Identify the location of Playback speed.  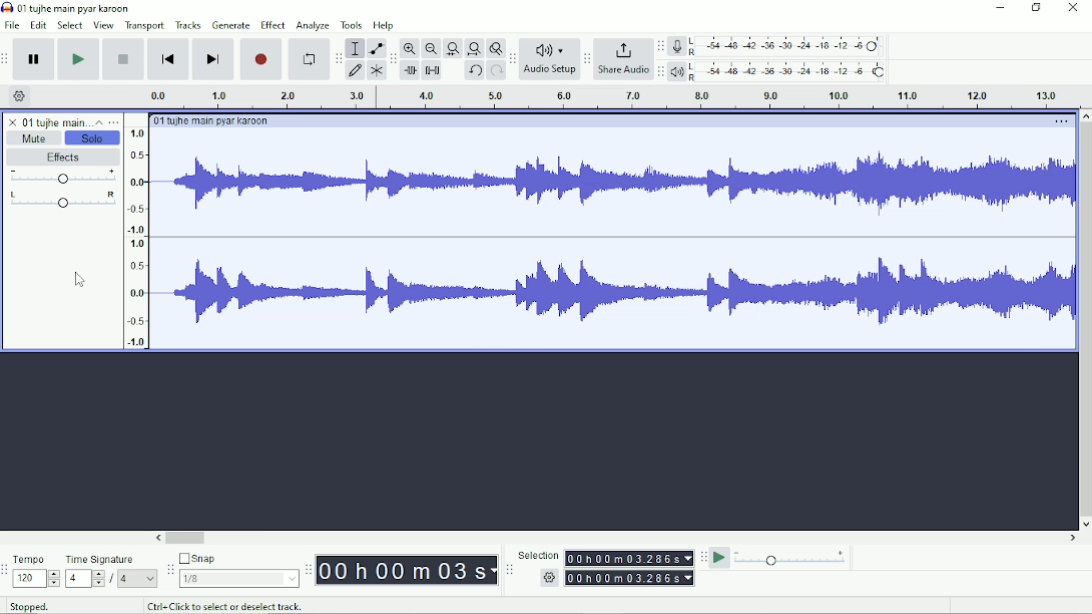
(791, 558).